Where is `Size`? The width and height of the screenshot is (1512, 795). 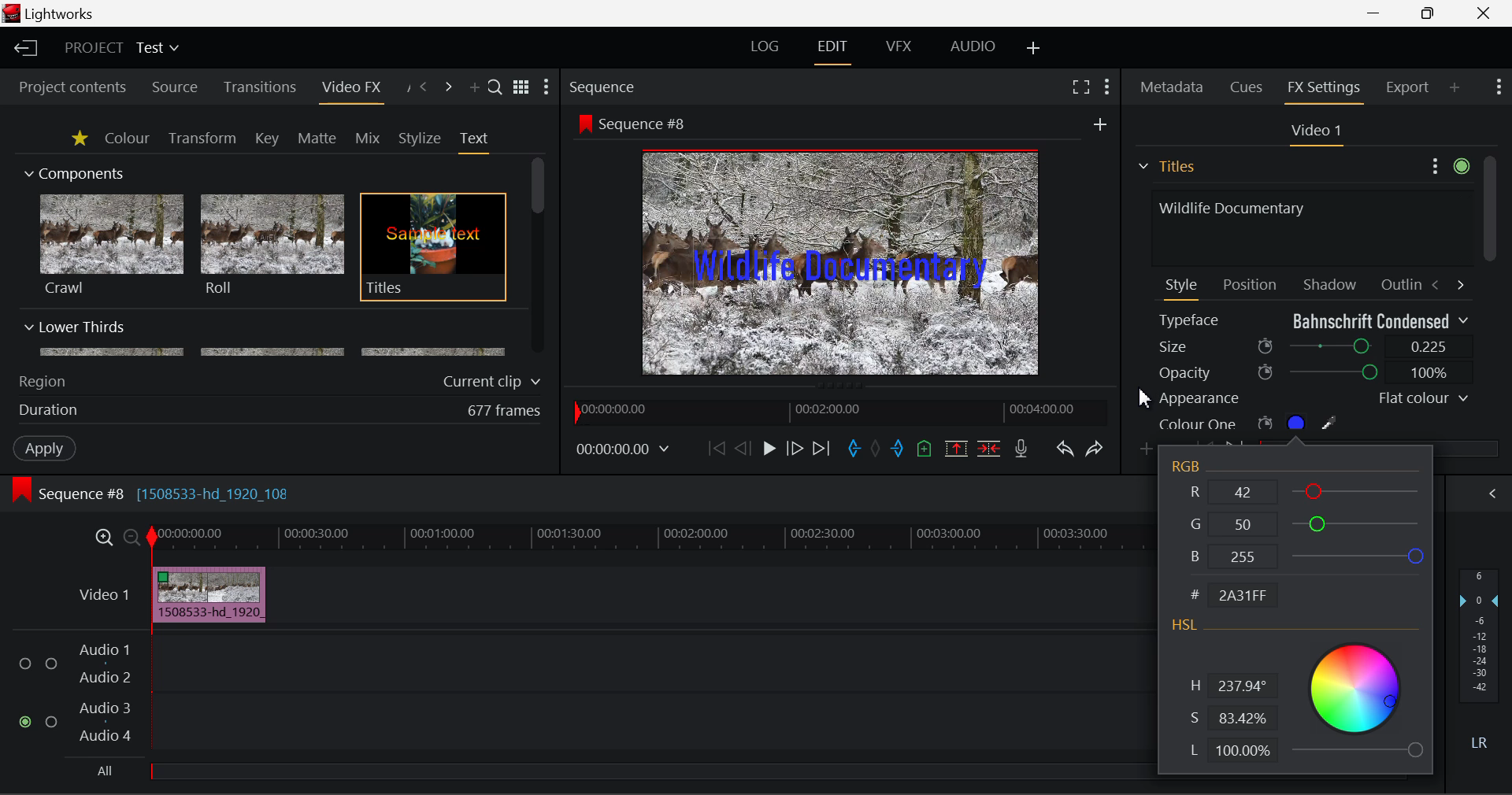 Size is located at coordinates (1315, 345).